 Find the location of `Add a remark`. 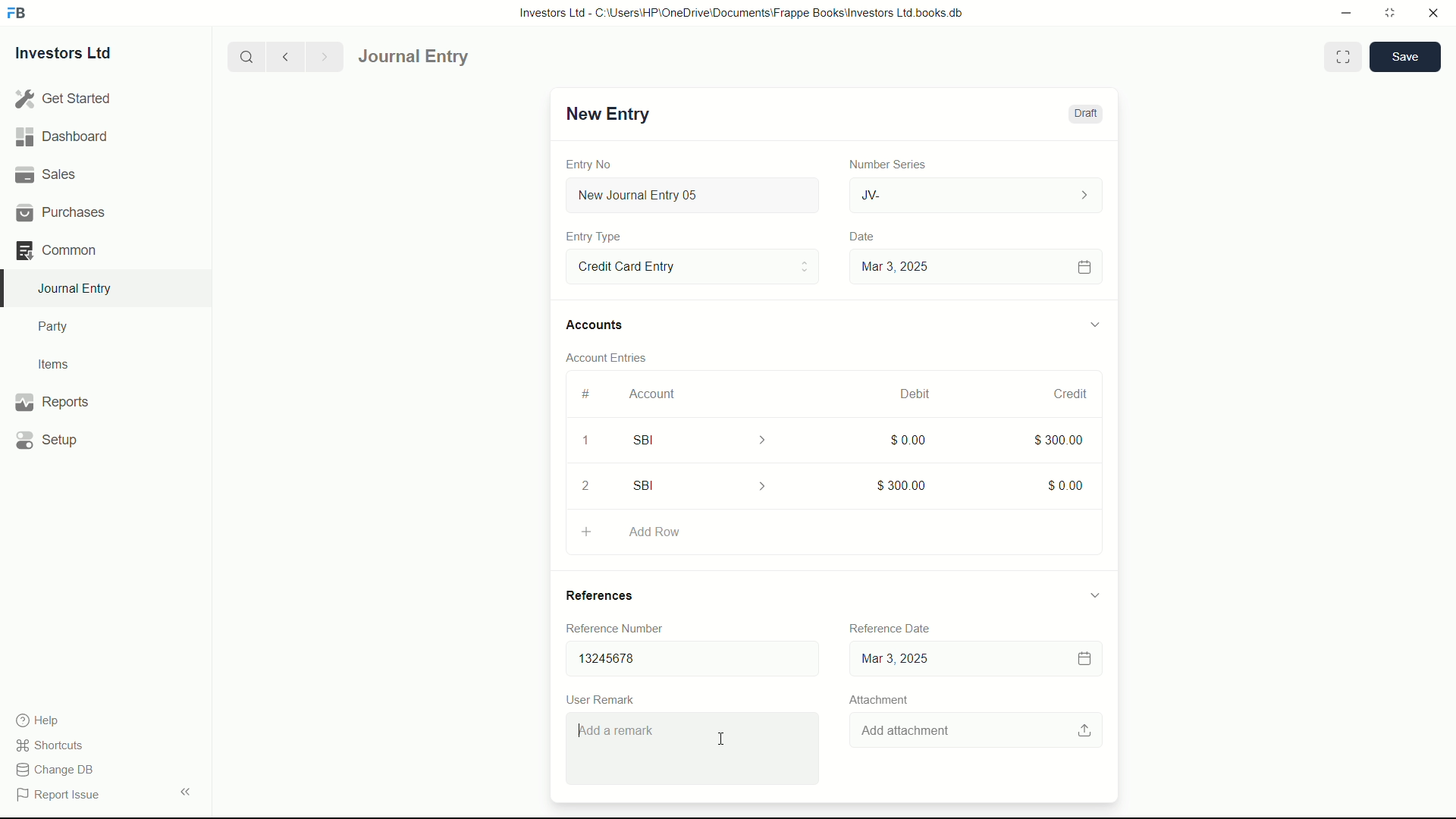

Add a remark is located at coordinates (695, 752).